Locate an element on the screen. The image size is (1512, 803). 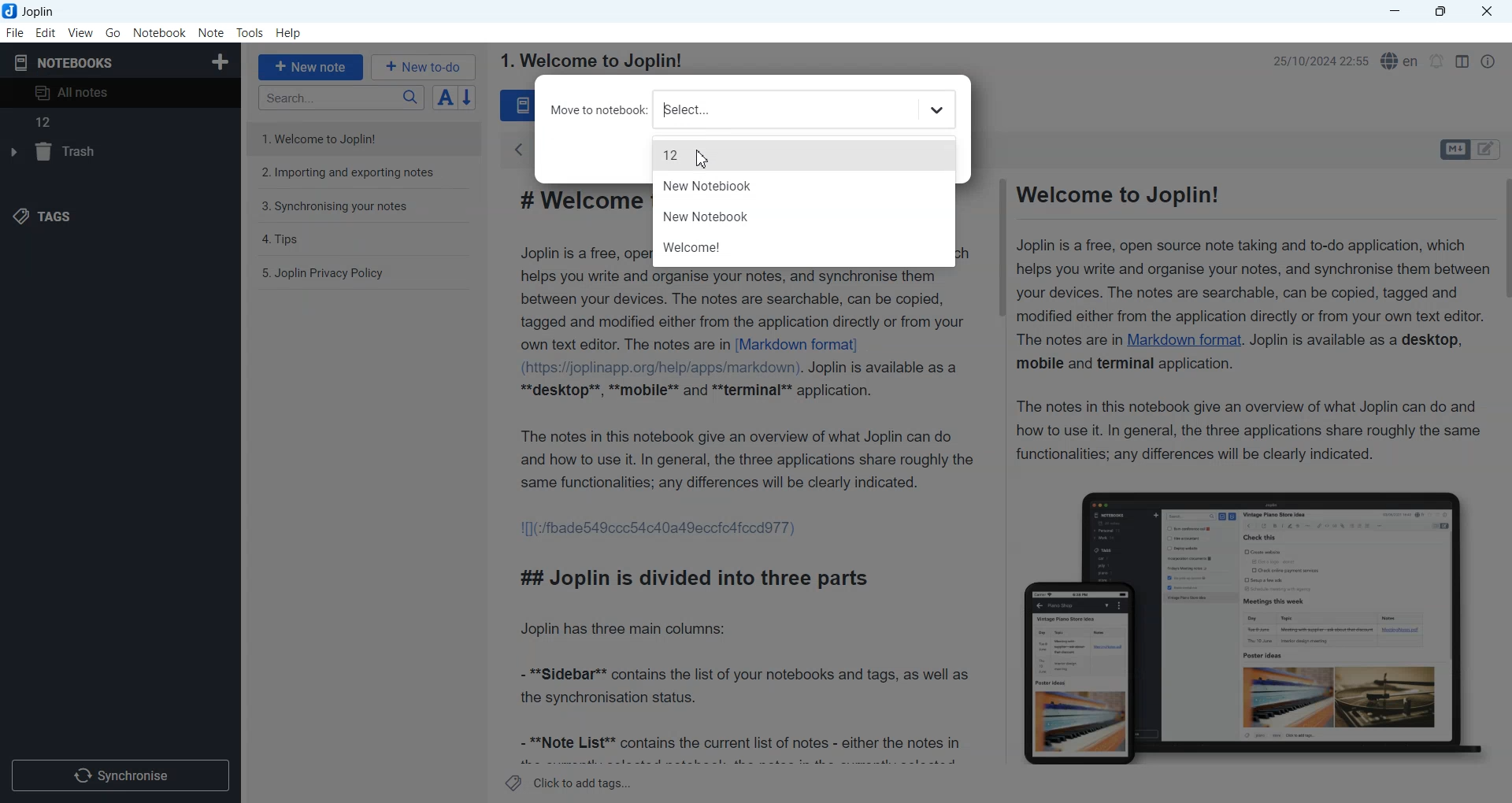
Click to add tags is located at coordinates (569, 783).